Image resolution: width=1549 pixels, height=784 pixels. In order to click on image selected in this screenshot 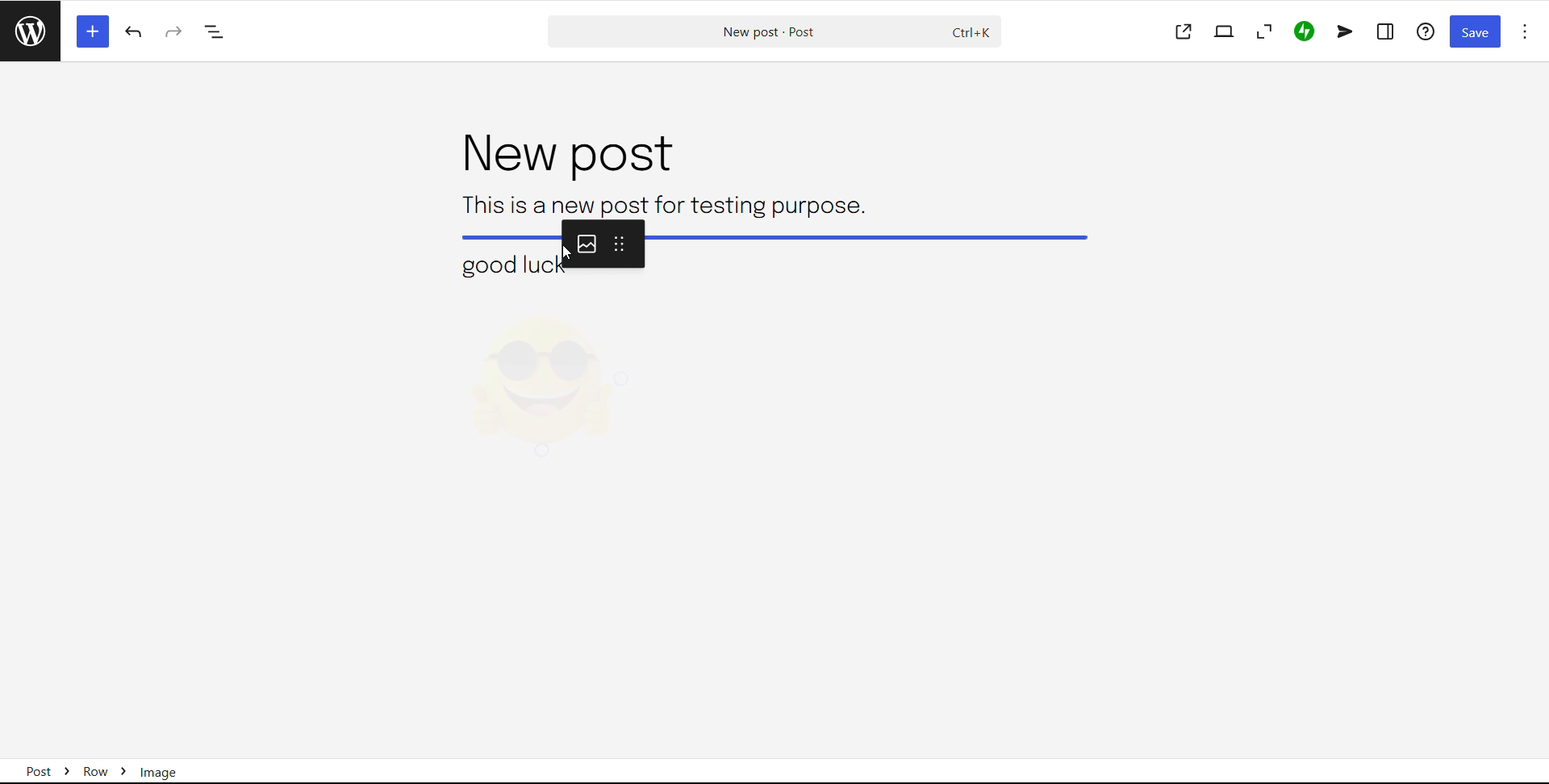, I will do `click(546, 385)`.